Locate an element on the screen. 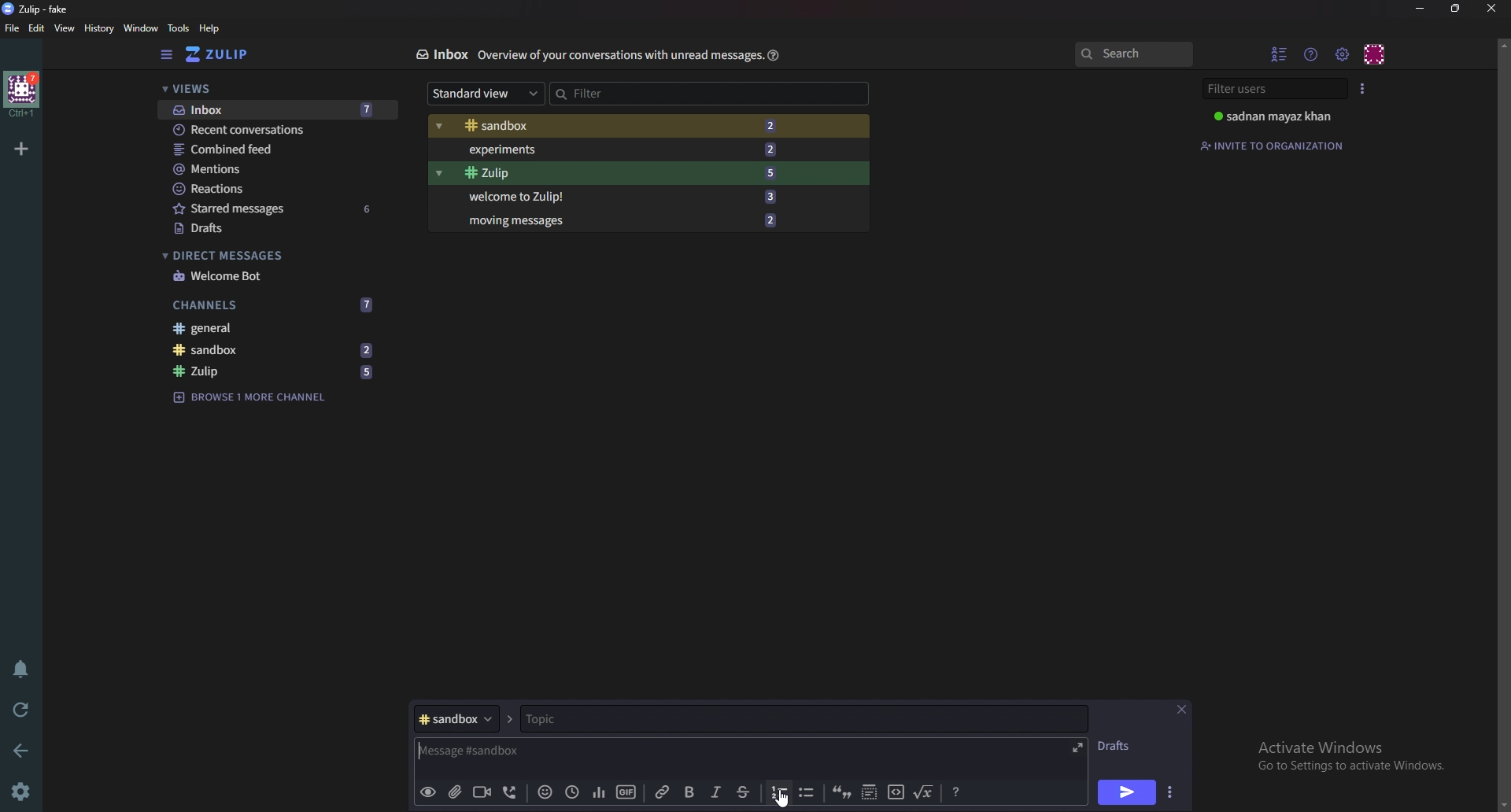 Image resolution: width=1511 pixels, height=812 pixels. Info is located at coordinates (616, 56).